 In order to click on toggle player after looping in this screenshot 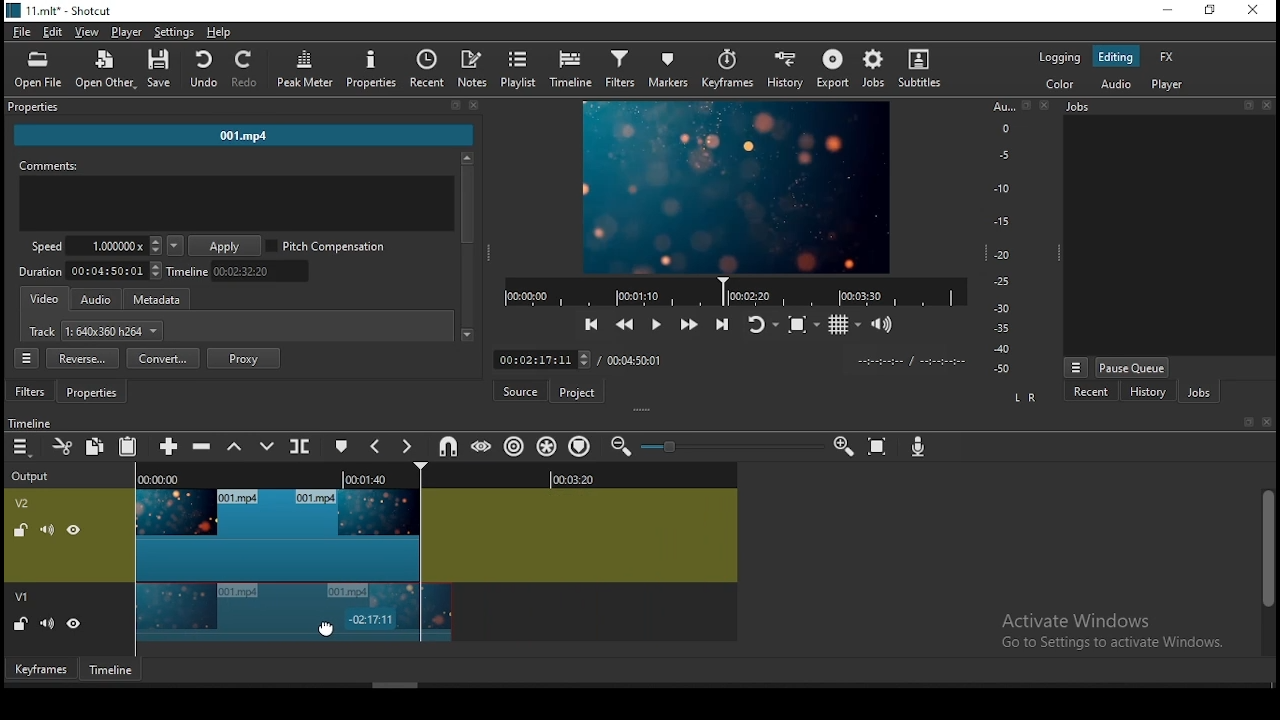, I will do `click(763, 322)`.